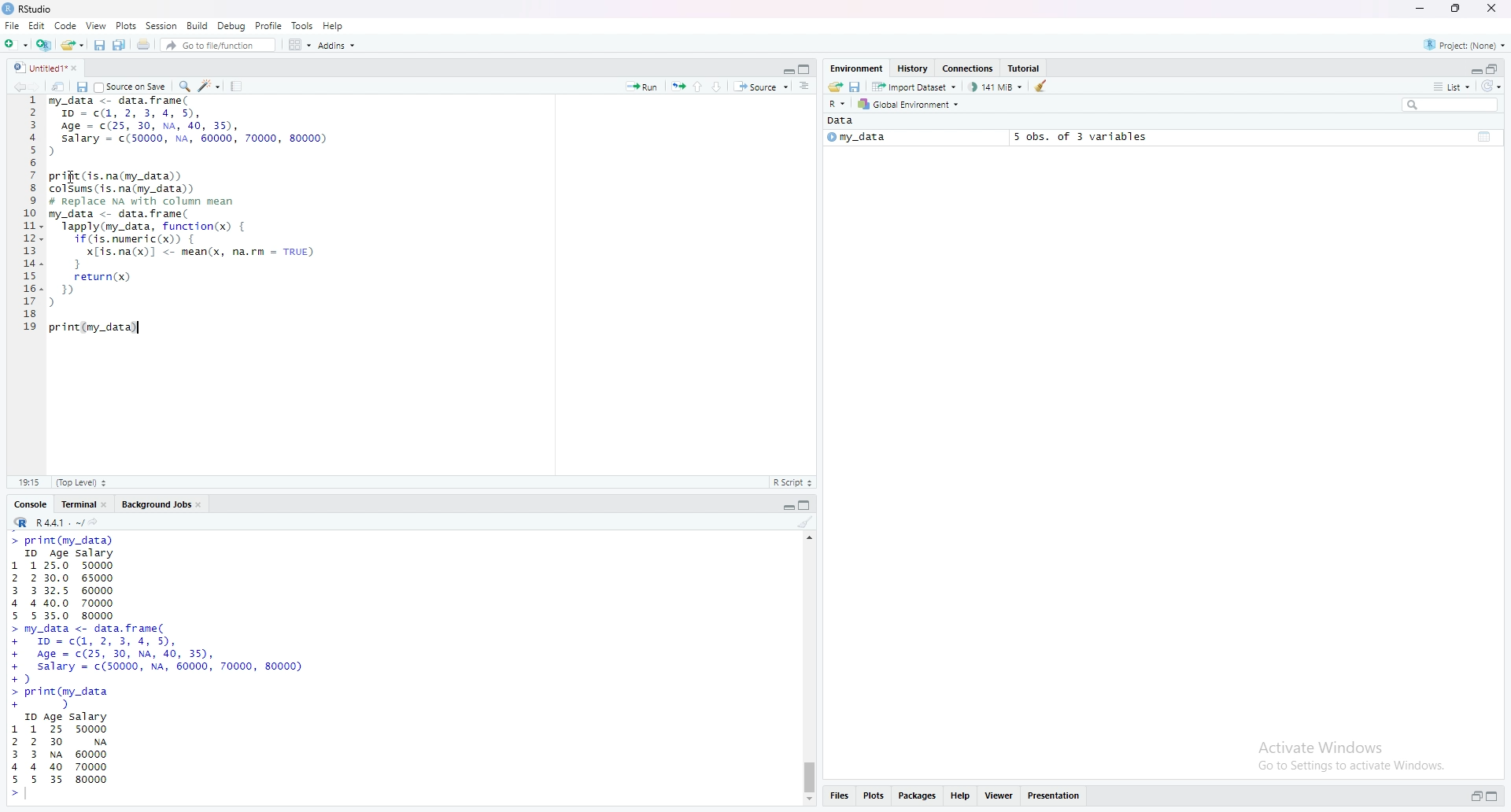  Describe the element at coordinates (67, 26) in the screenshot. I see `Code` at that location.